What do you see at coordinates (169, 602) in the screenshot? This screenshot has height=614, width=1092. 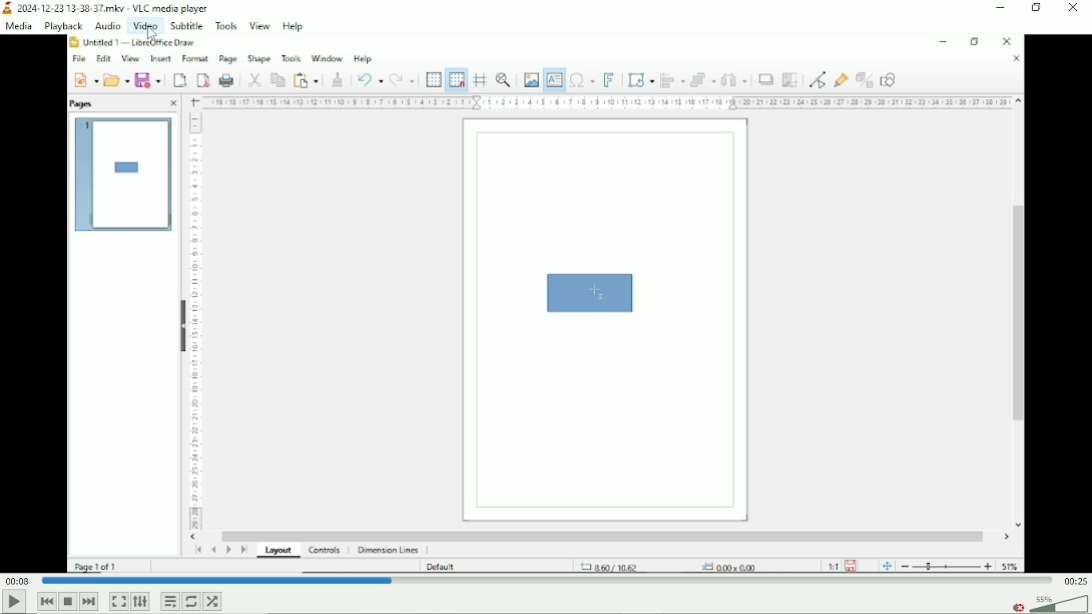 I see `Toggle playlist` at bounding box center [169, 602].